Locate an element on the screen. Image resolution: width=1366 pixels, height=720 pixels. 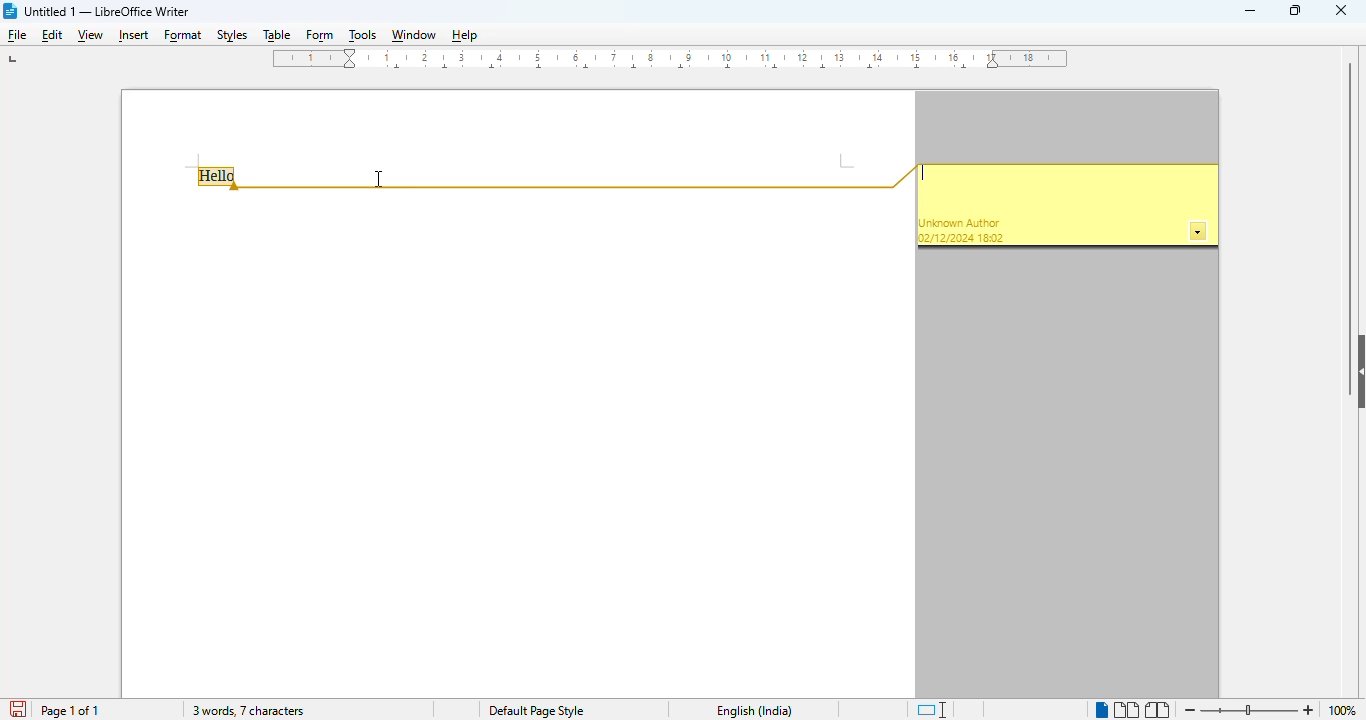
3 words, 7 characters is located at coordinates (247, 710).